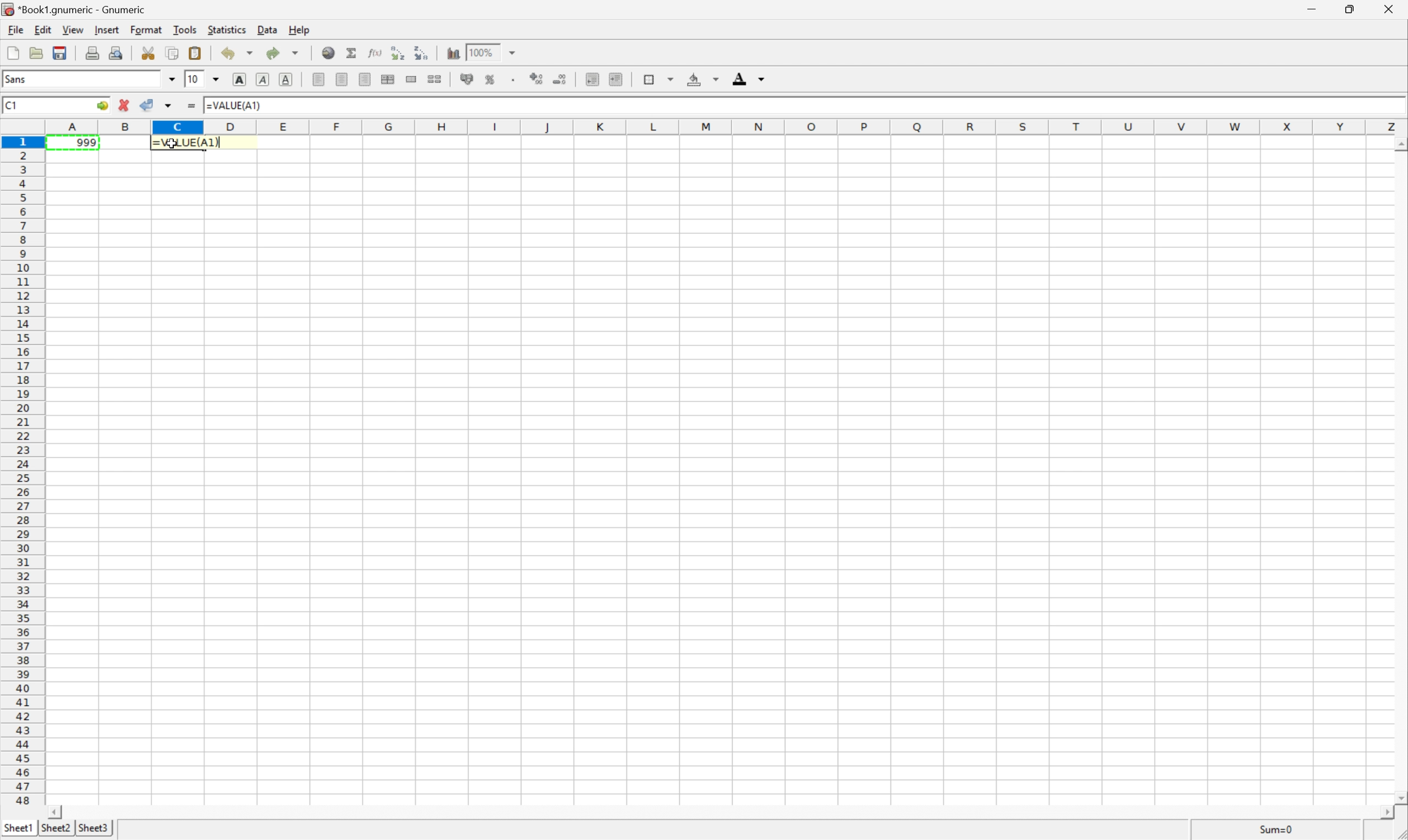 The height and width of the screenshot is (840, 1408). Describe the element at coordinates (106, 31) in the screenshot. I see `insert` at that location.